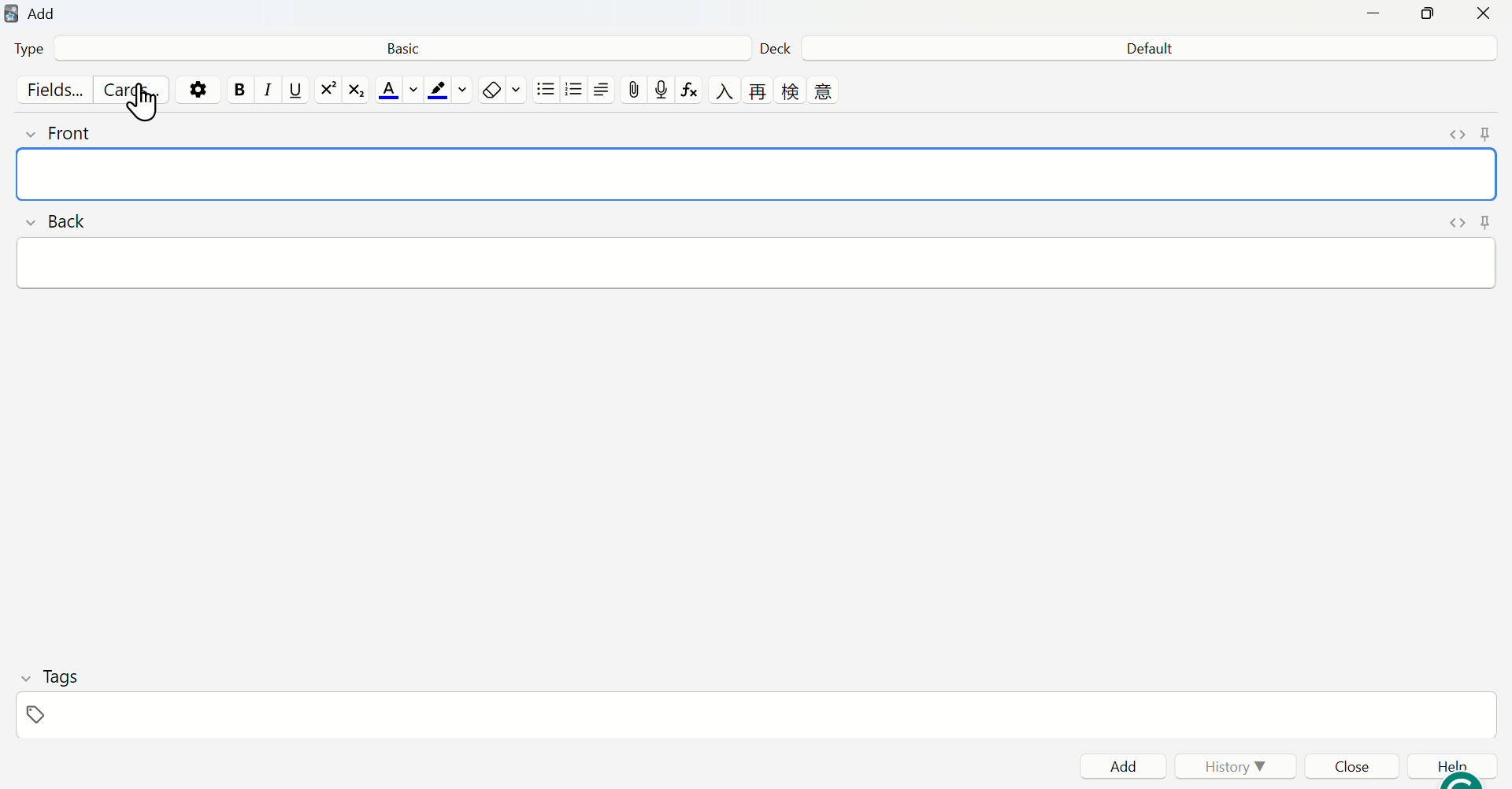 Image resolution: width=1512 pixels, height=789 pixels. Describe the element at coordinates (267, 91) in the screenshot. I see `Italic text` at that location.